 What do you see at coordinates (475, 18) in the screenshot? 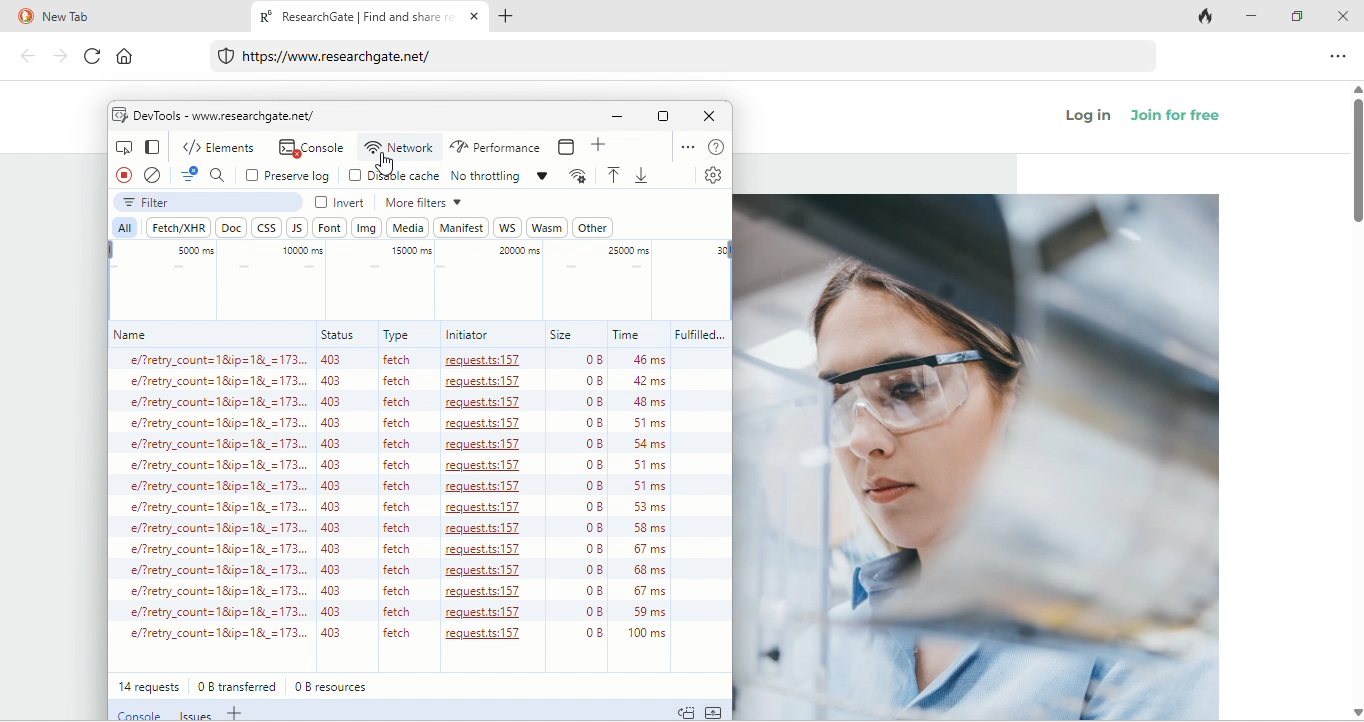
I see `close tab` at bounding box center [475, 18].